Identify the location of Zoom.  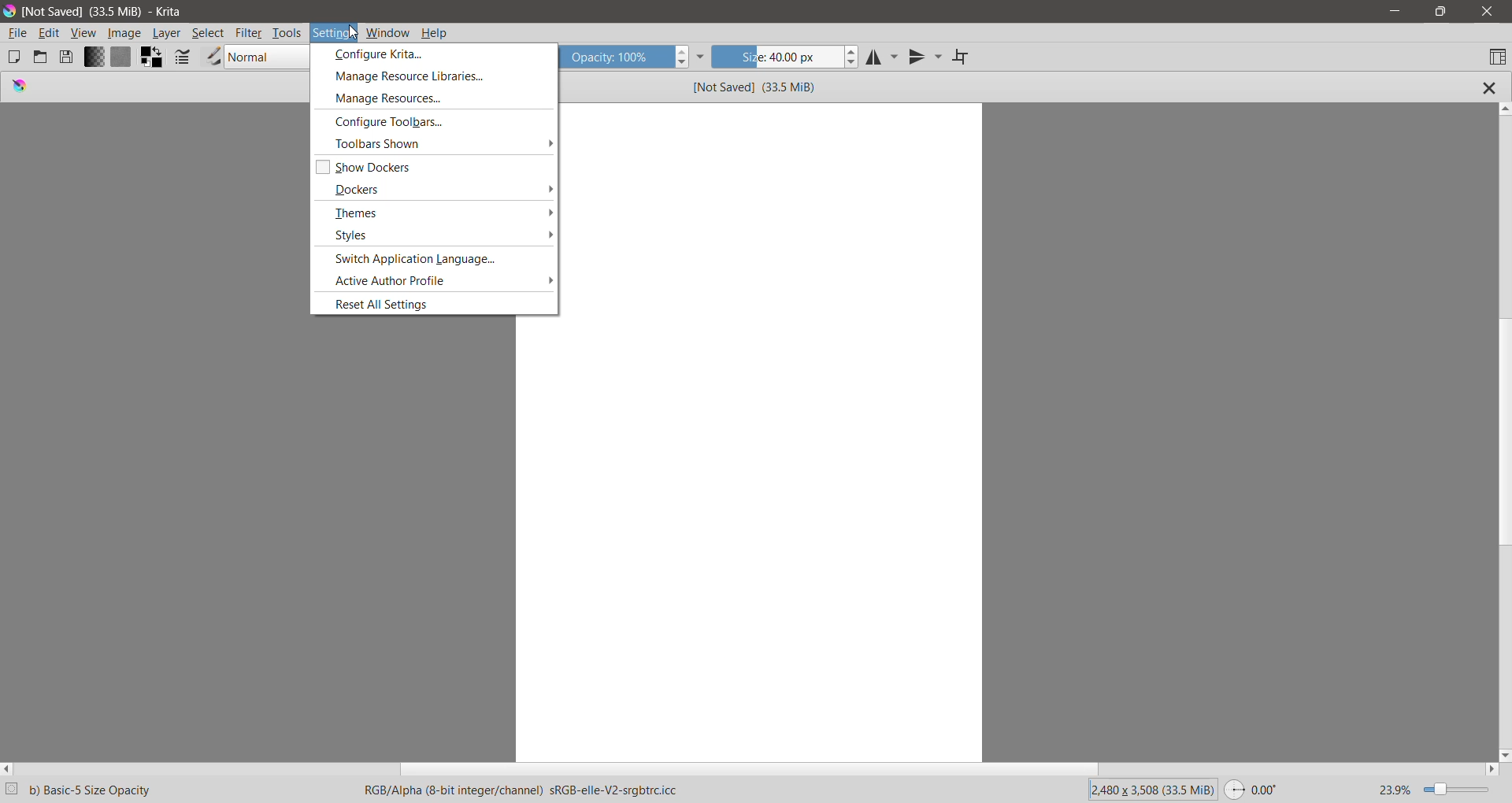
(1457, 790).